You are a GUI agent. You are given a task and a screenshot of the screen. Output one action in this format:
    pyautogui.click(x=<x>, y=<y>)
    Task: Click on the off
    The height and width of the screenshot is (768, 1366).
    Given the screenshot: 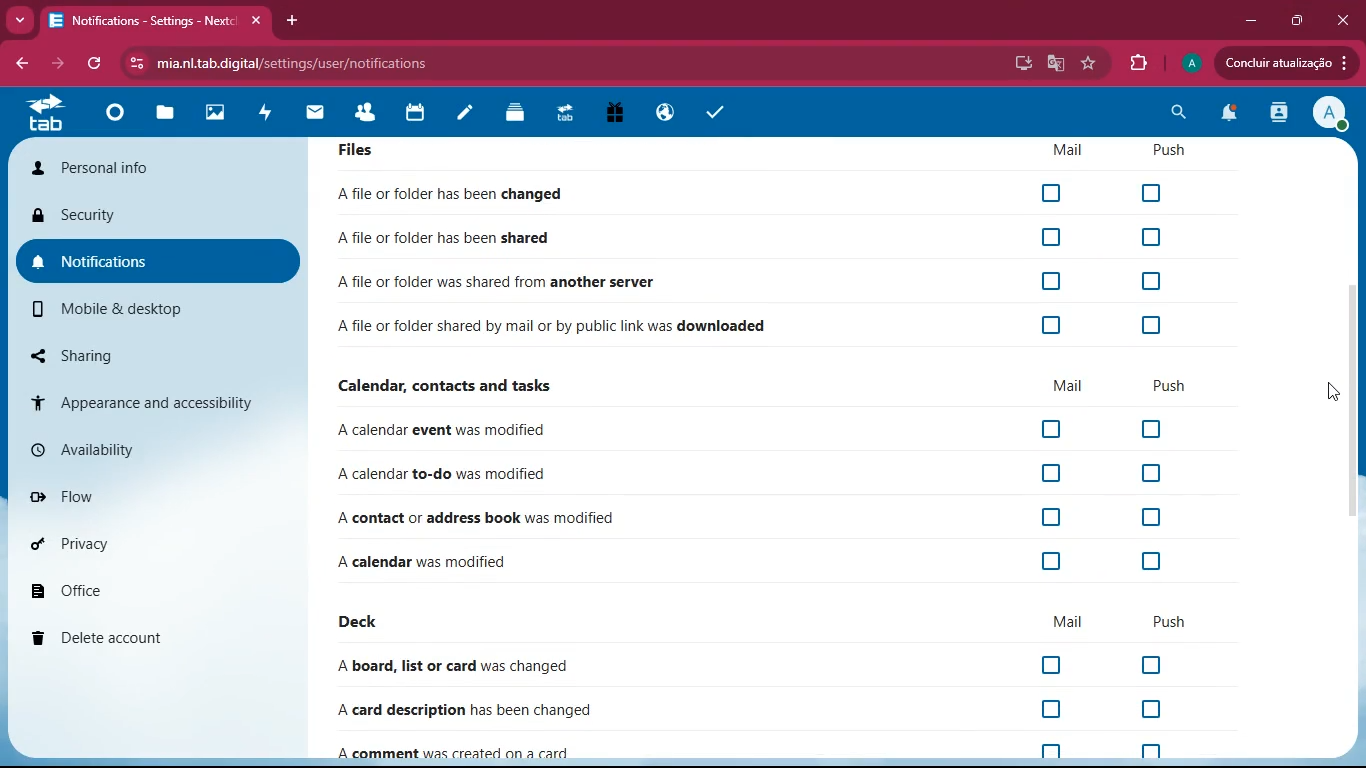 What is the action you would take?
    pyautogui.click(x=1147, y=431)
    